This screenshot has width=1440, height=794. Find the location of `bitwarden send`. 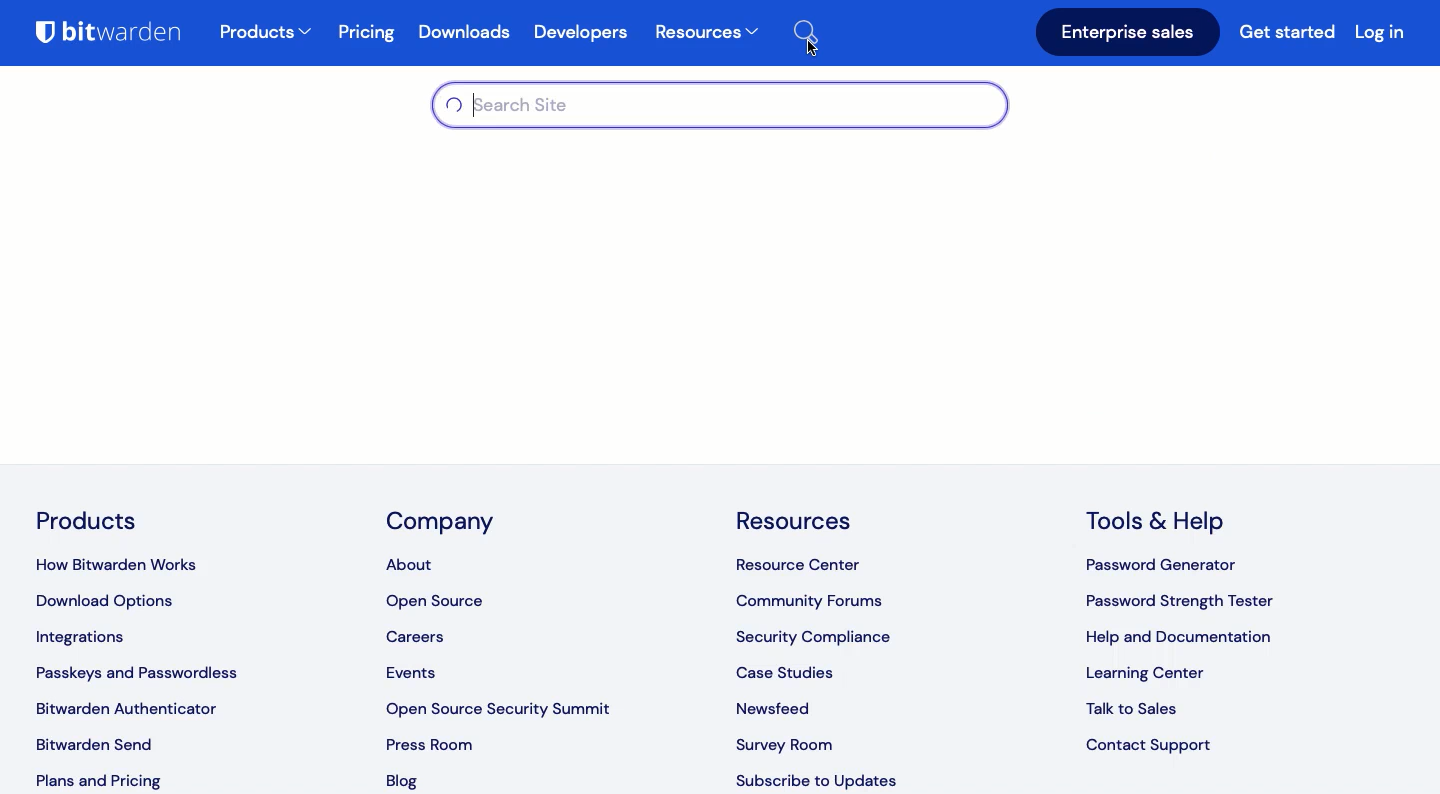

bitwarden send is located at coordinates (99, 744).